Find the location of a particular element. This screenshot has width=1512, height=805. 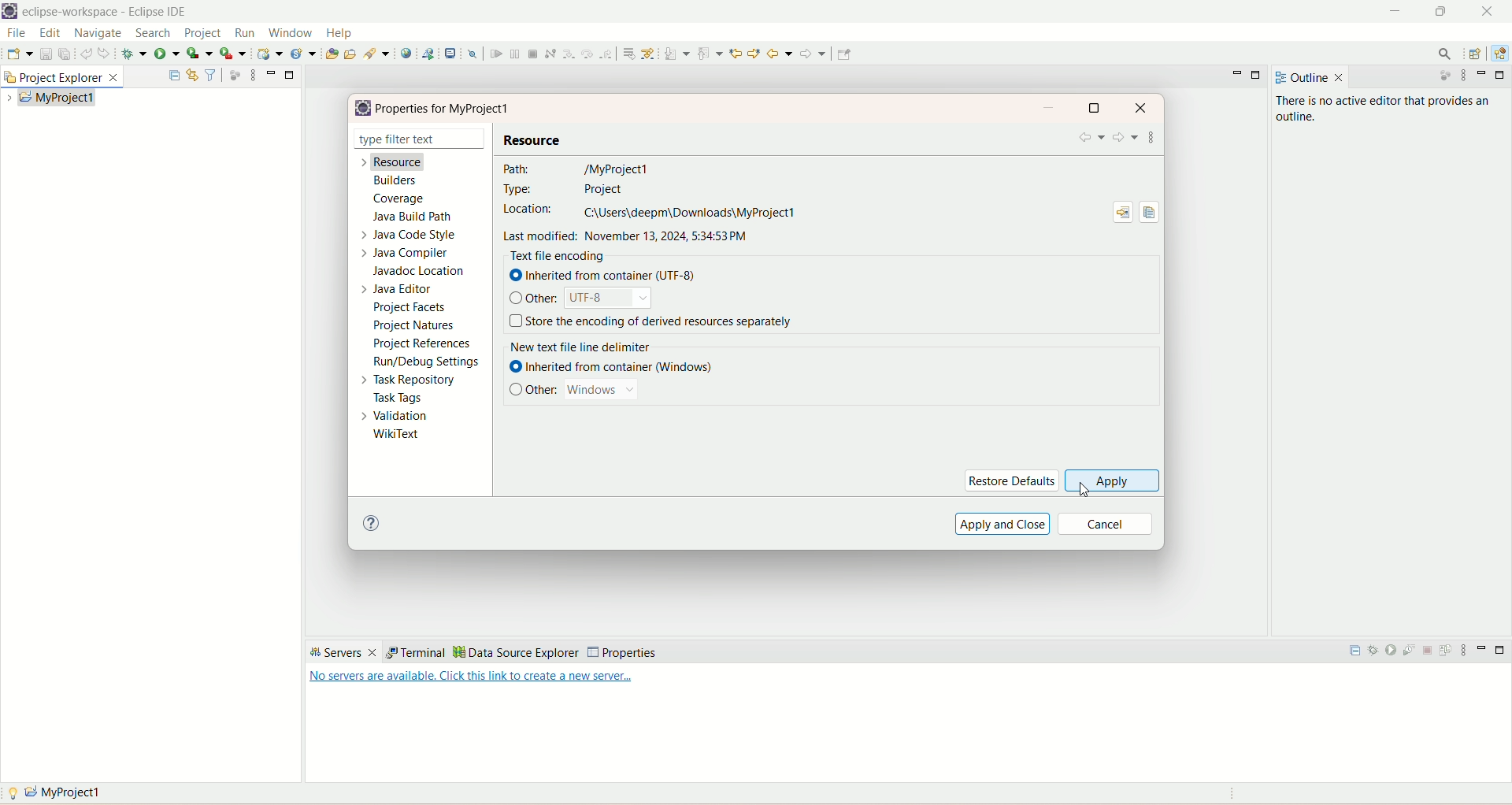

publish to the server is located at coordinates (1448, 653).